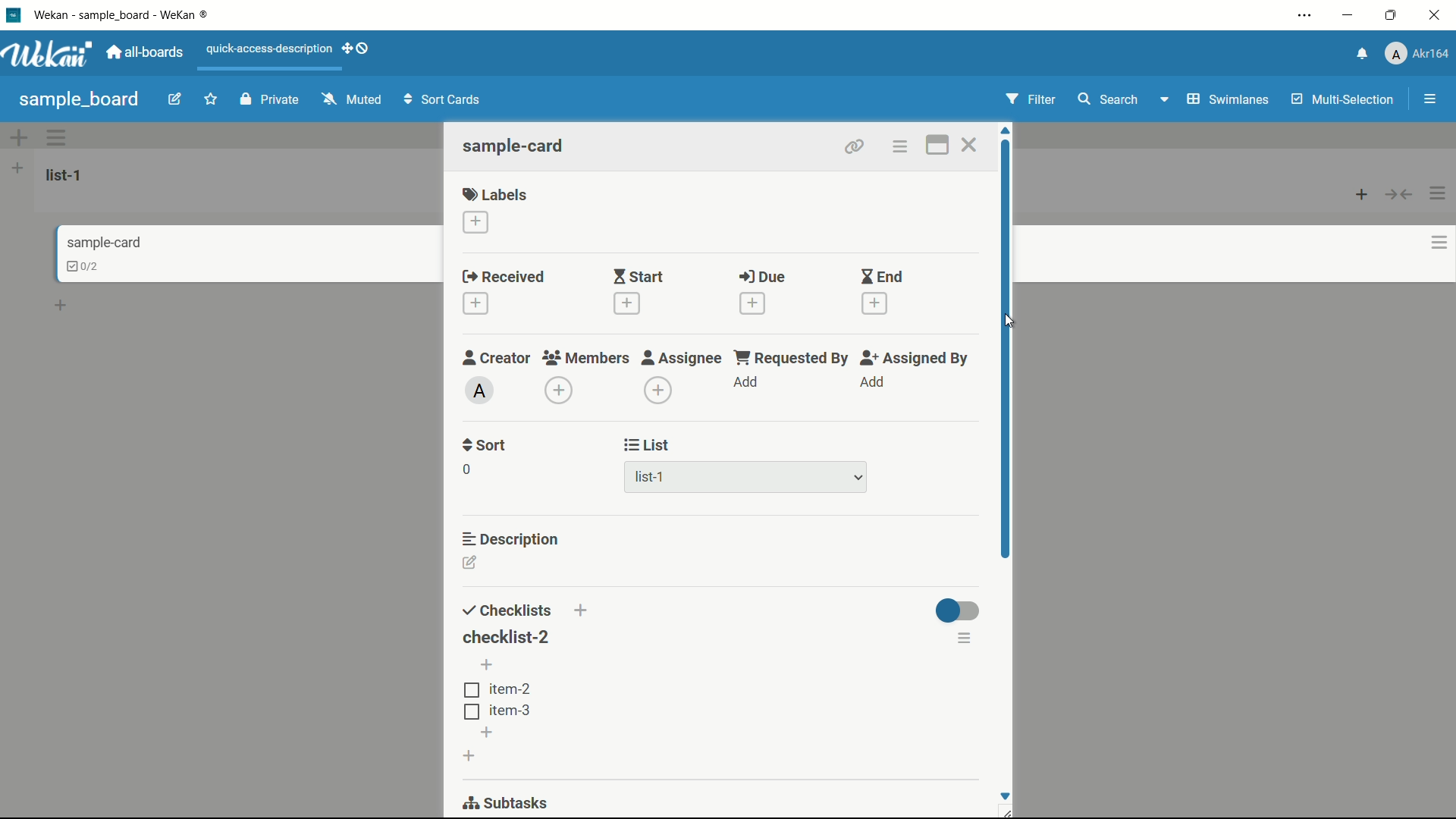 The height and width of the screenshot is (819, 1456). Describe the element at coordinates (789, 358) in the screenshot. I see `requested by` at that location.